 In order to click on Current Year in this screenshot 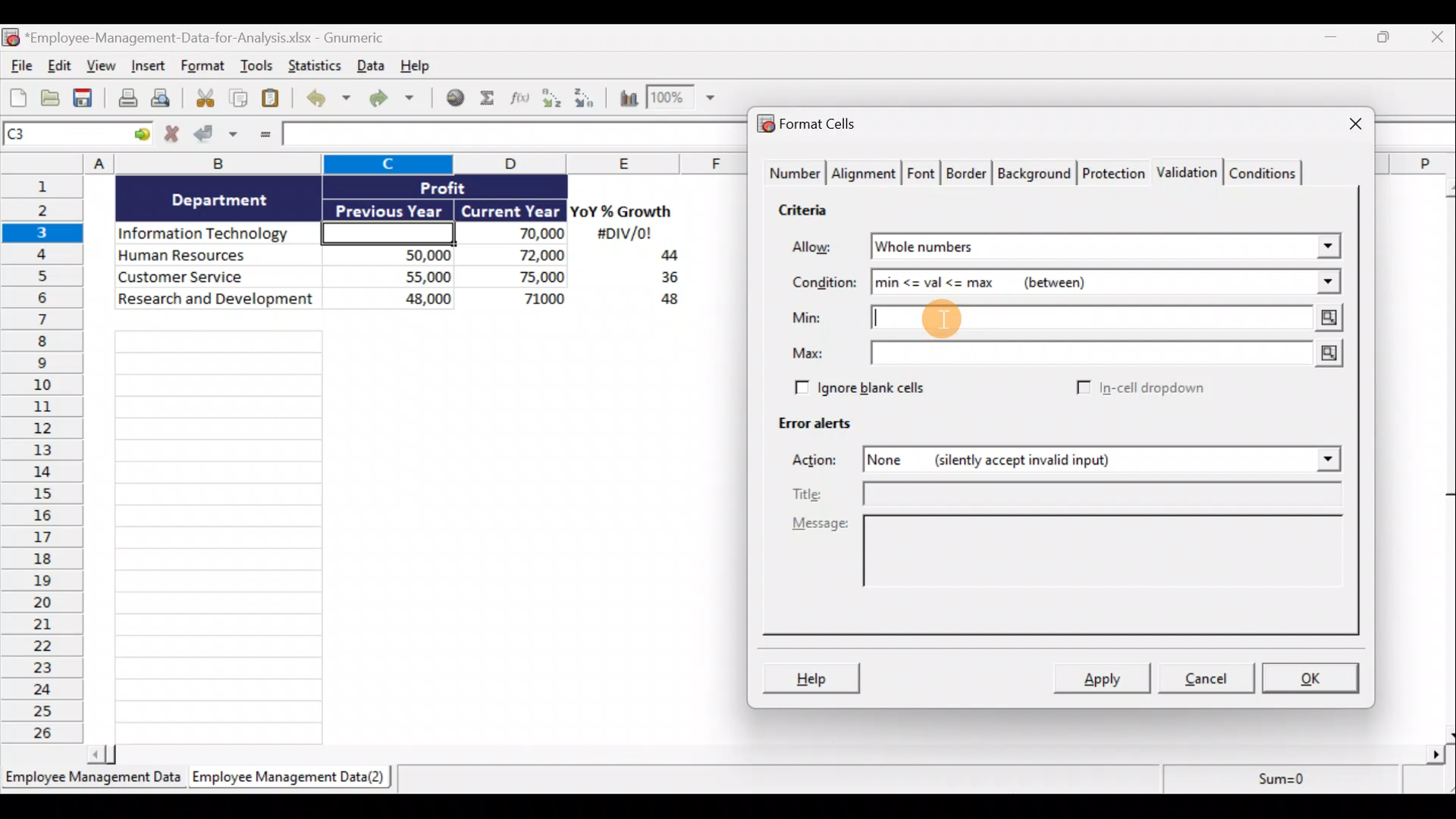, I will do `click(509, 212)`.